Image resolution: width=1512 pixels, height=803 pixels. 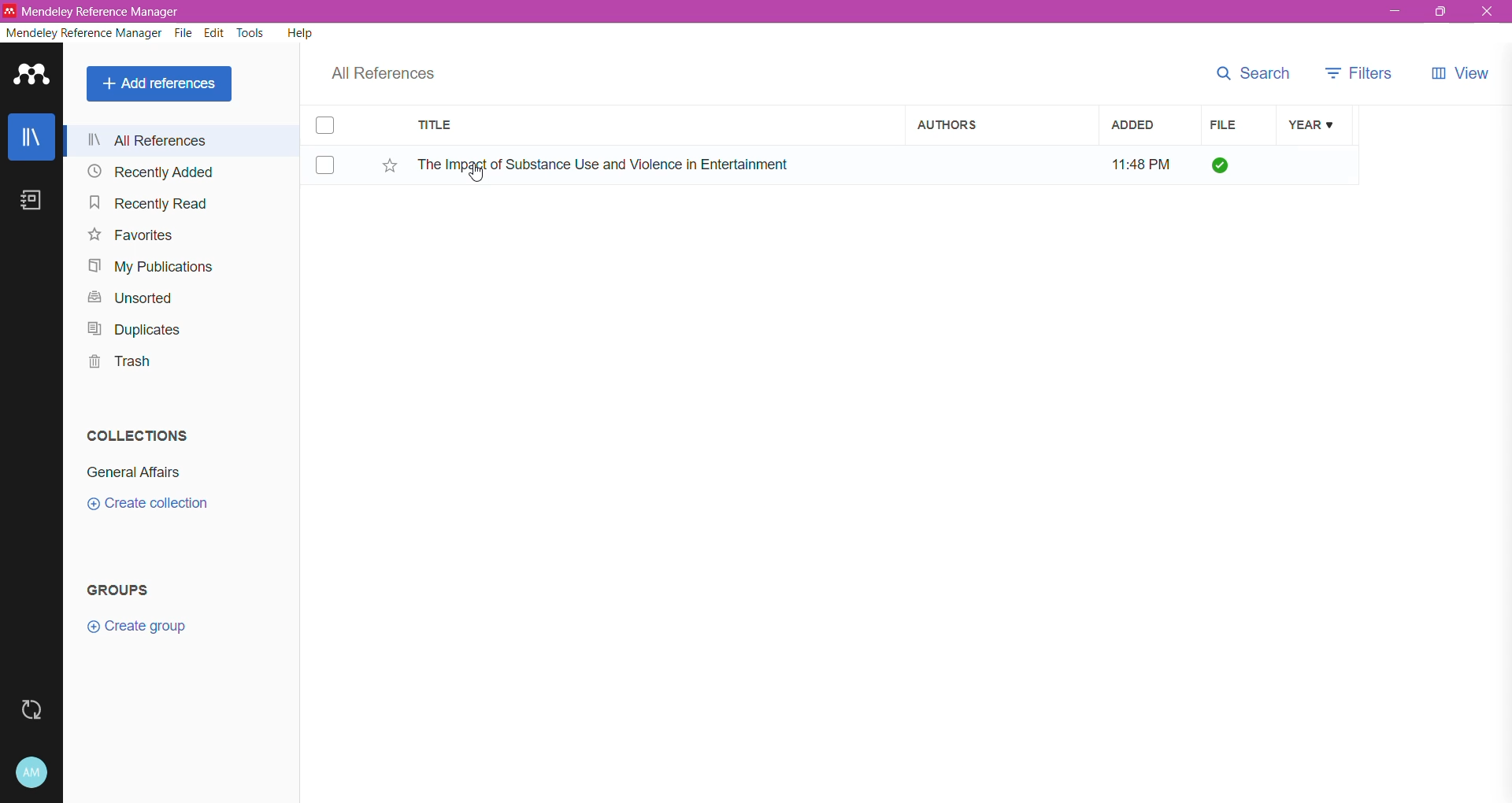 I want to click on Mendeley Reference Manager, so click(x=85, y=31).